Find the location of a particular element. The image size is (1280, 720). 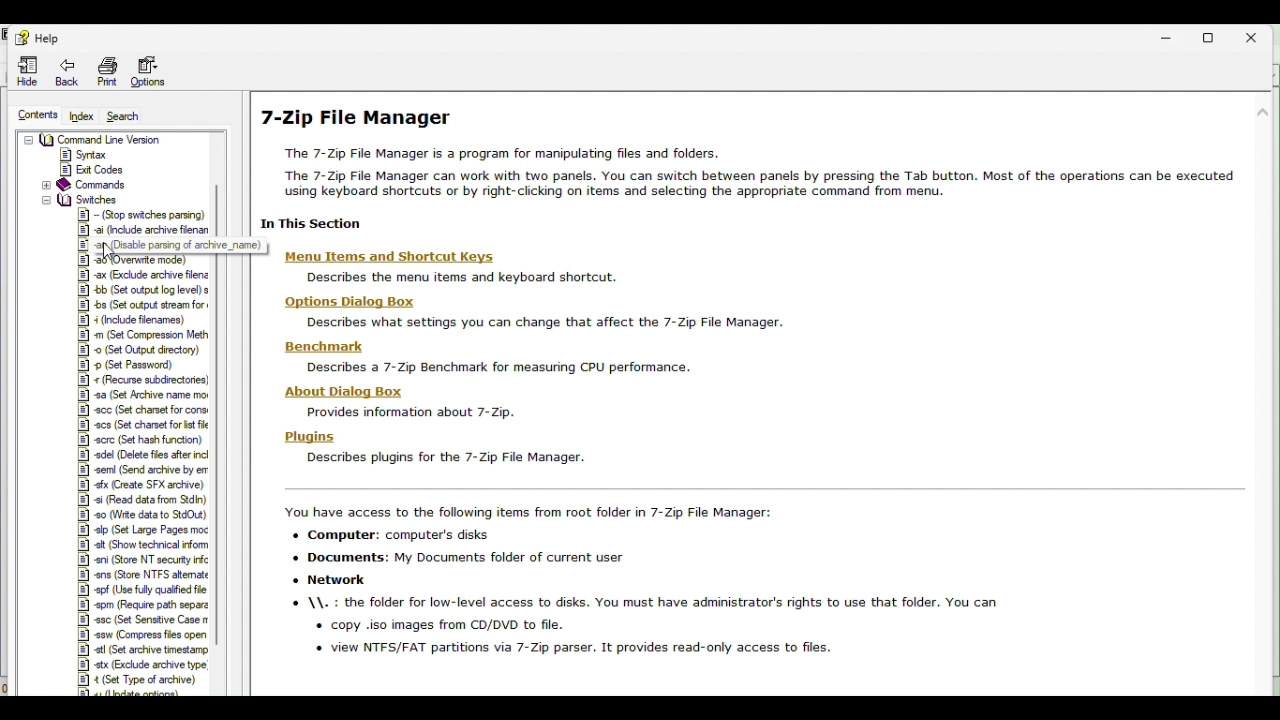

You have access to the following items from root folder in 7-Zip File Manager:
«+ Computer: computer's disks
+ Documents: My Documents folder of current user
«+ Network
© \\. : the folder for low-level access to disks. You must have administrator's rights to use that folder. You can
« copy .iso images from CD/DVD to file.
« view NTFS/FAT partitions via 7-Zip parser. It provides read-only access to files. is located at coordinates (635, 579).